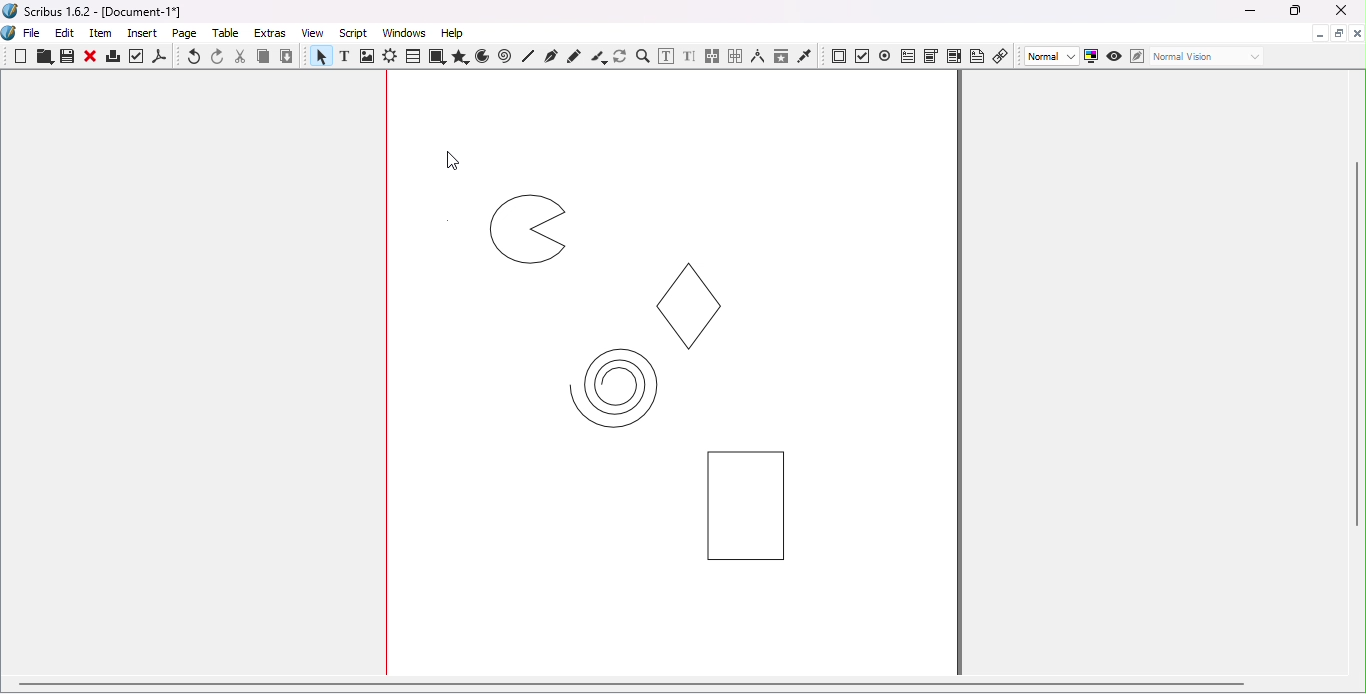 The height and width of the screenshot is (694, 1366). I want to click on Open, so click(42, 58).